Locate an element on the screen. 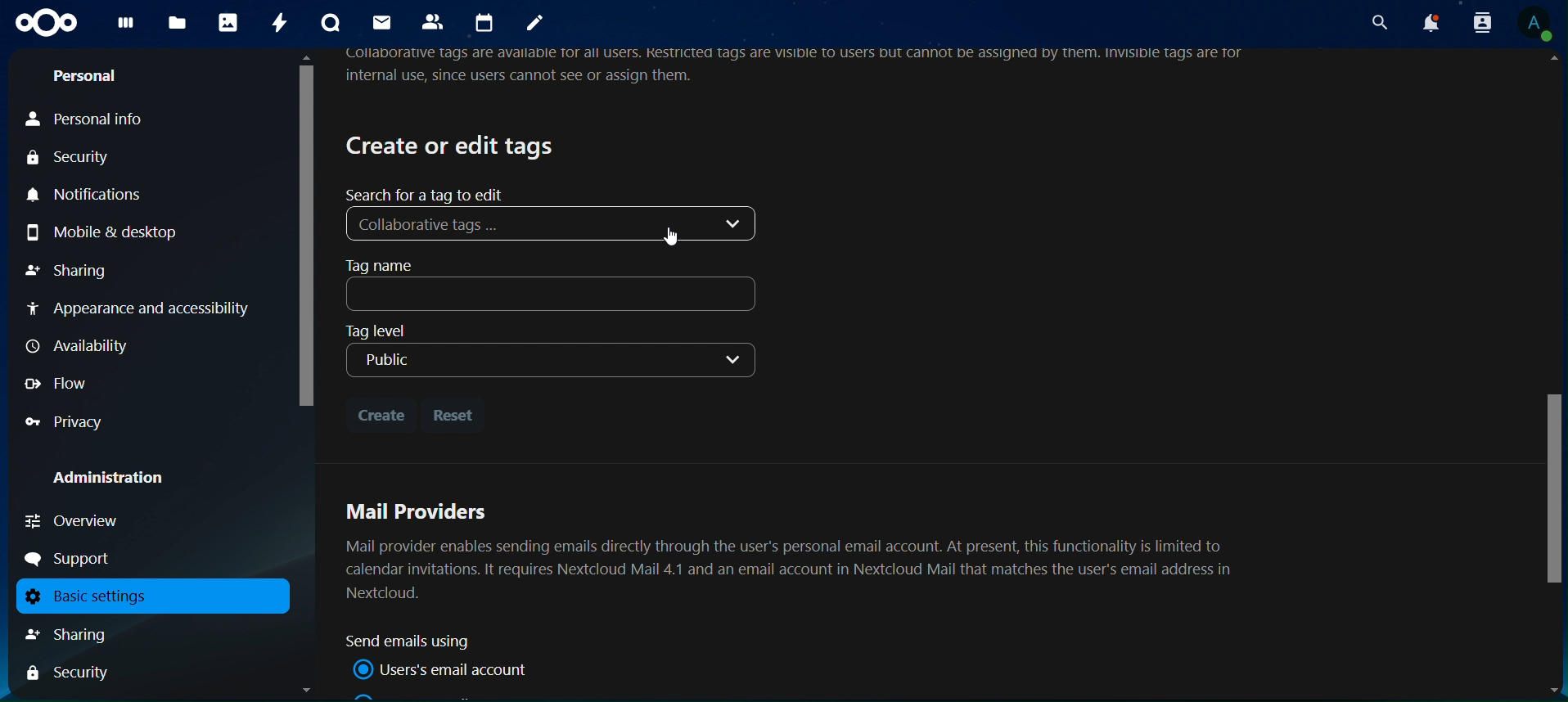  search contacts is located at coordinates (1476, 22).